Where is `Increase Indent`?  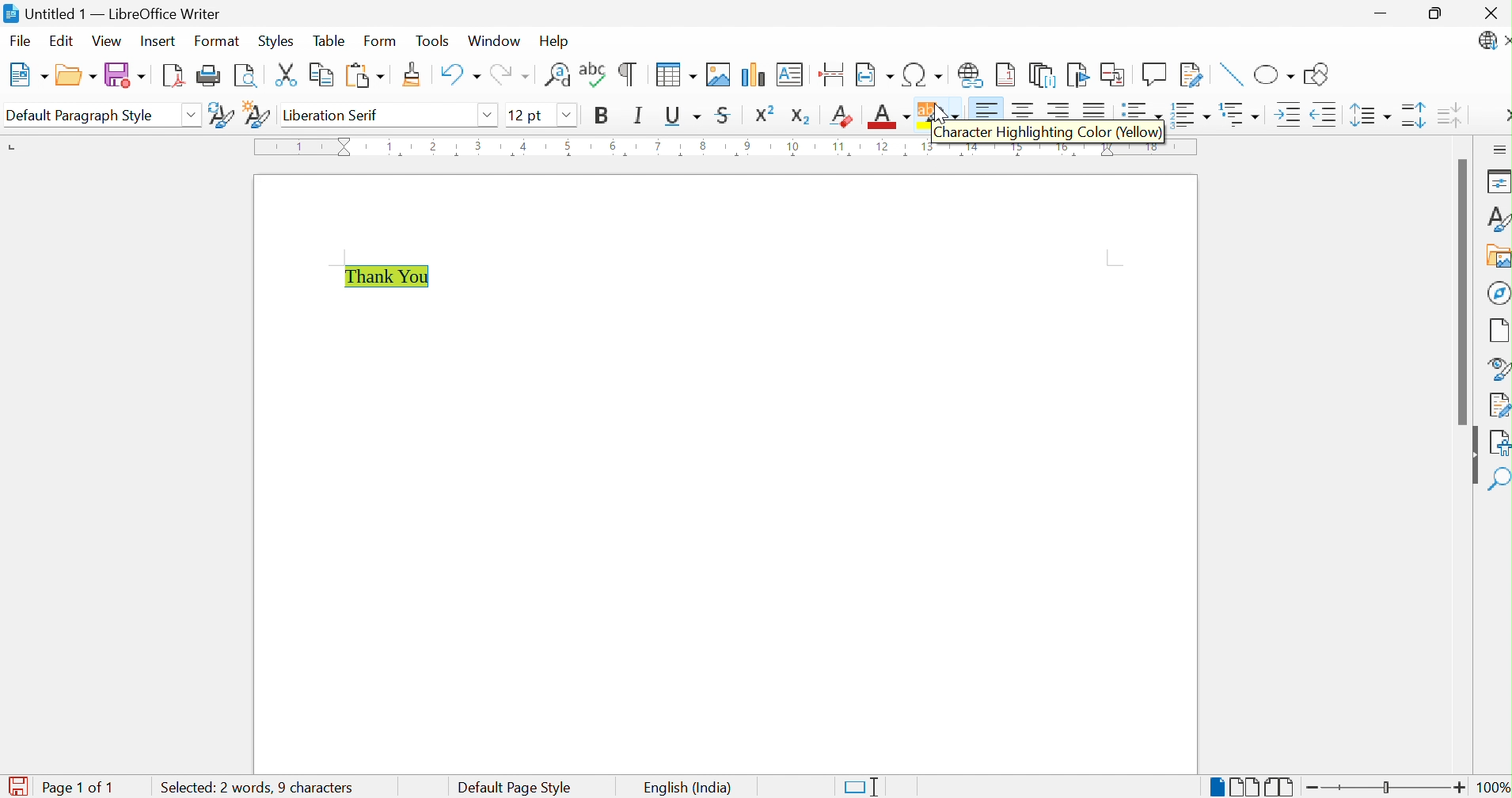
Increase Indent is located at coordinates (1286, 115).